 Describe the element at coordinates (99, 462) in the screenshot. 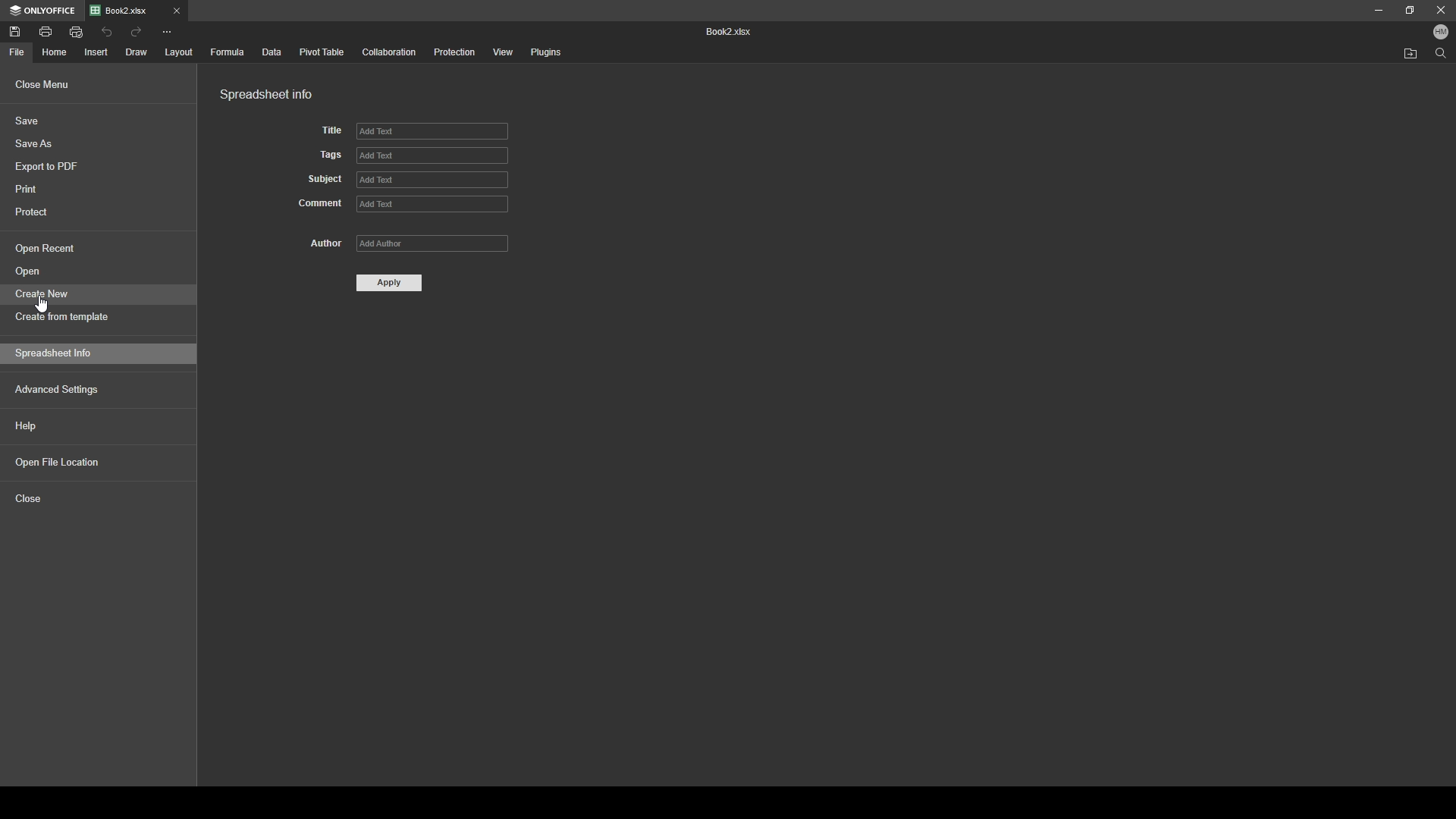

I see `open file location` at that location.